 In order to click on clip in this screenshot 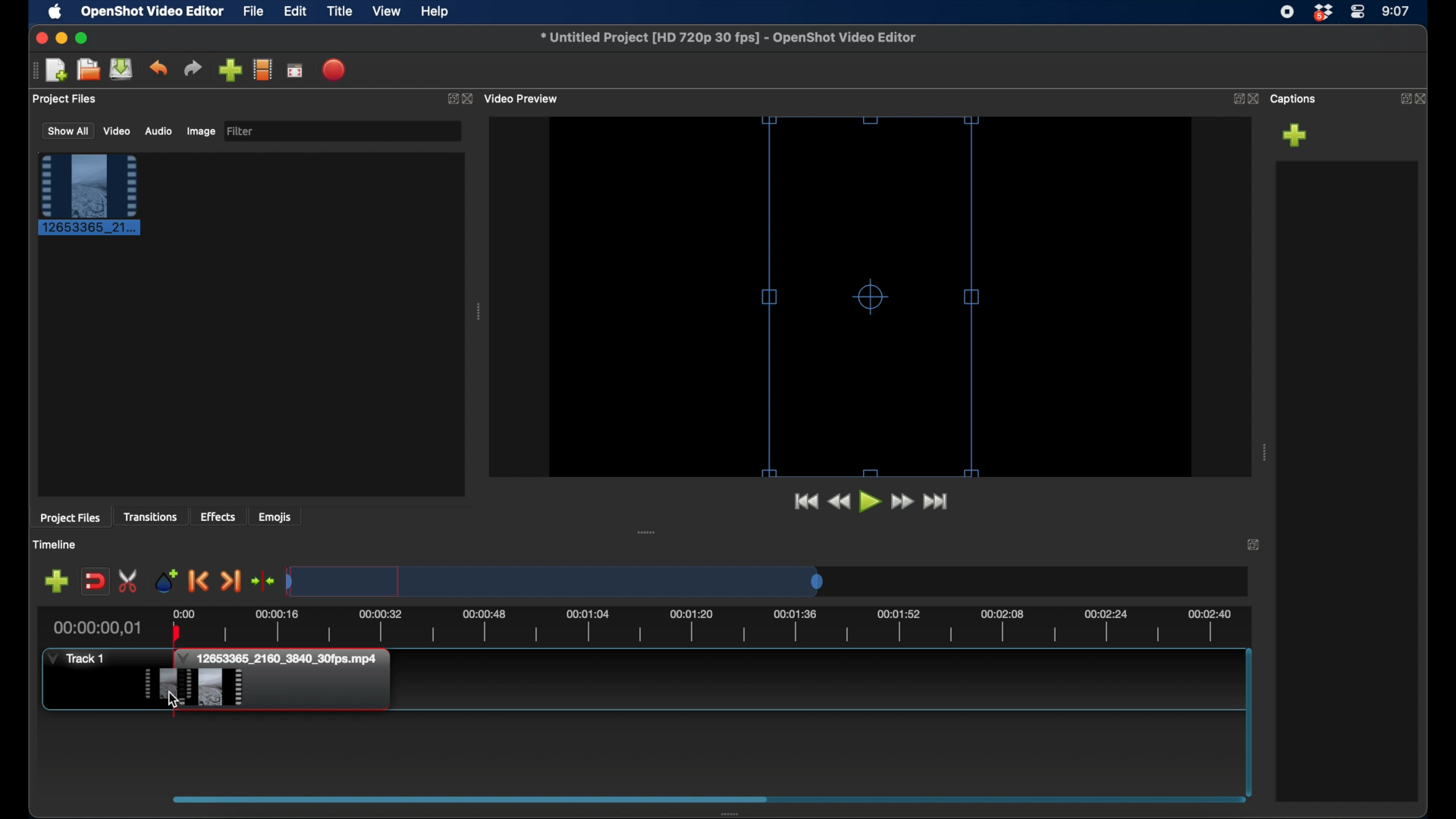, I will do `click(288, 681)`.